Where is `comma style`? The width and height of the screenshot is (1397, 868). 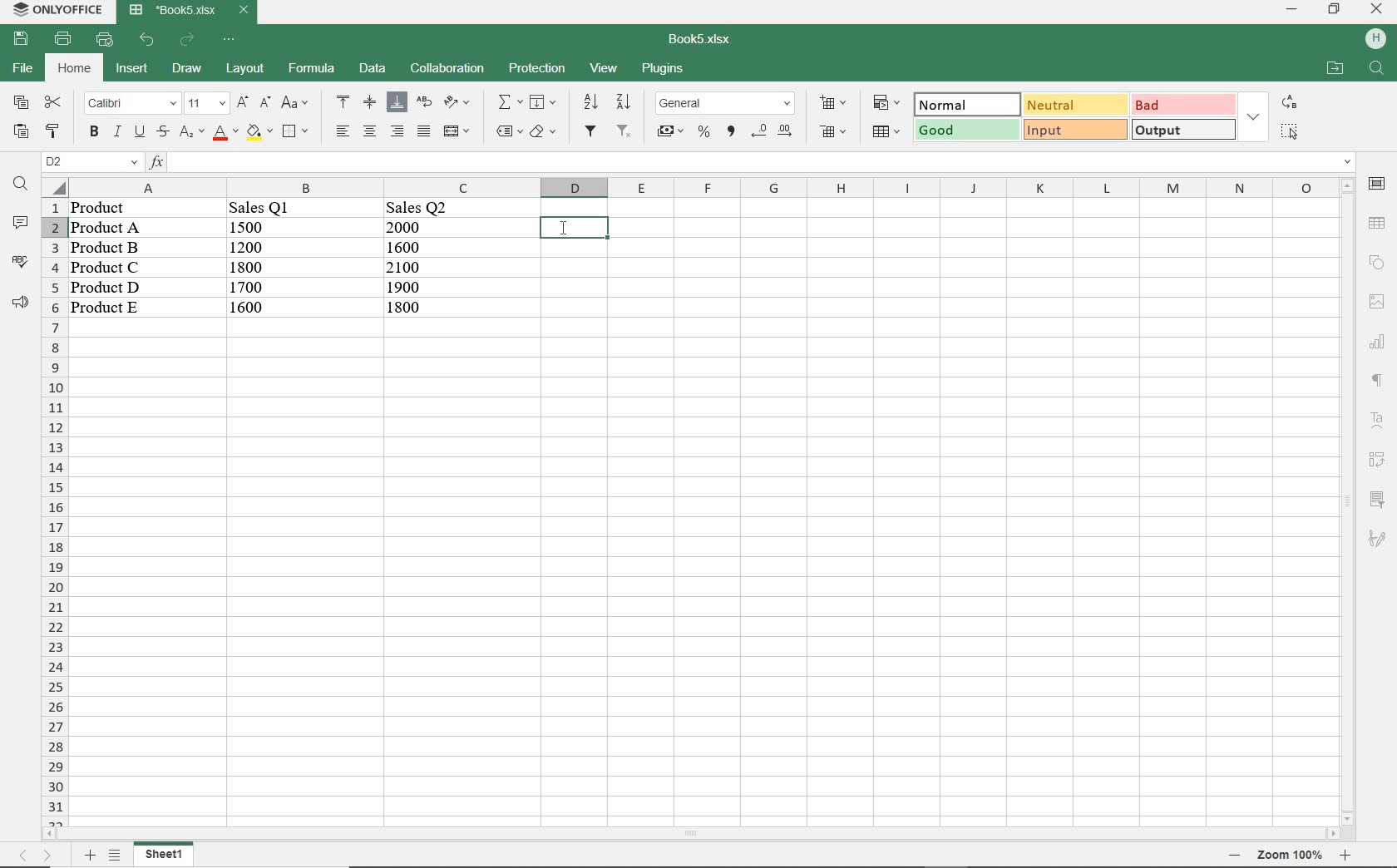
comma style is located at coordinates (732, 131).